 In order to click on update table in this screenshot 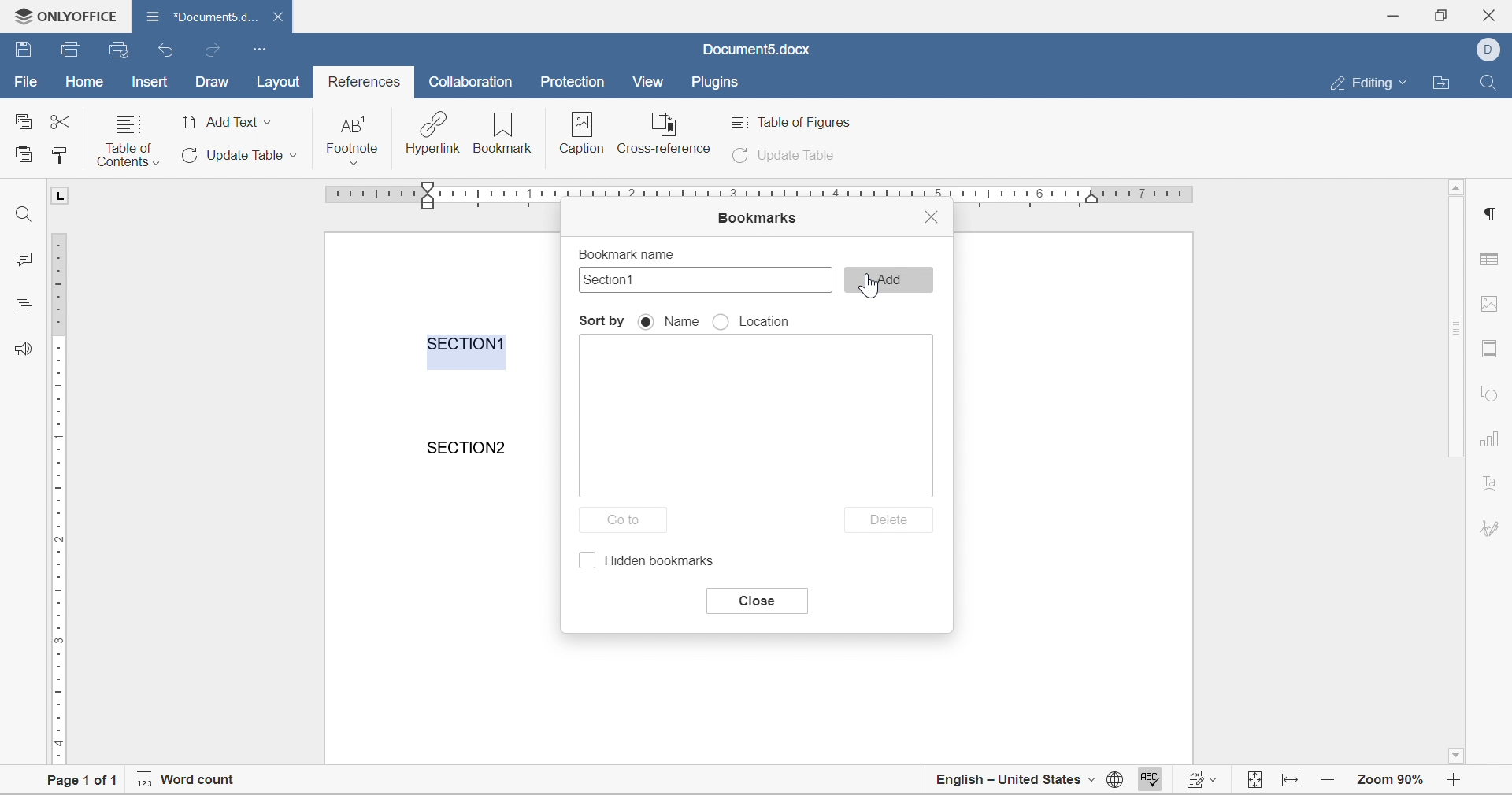, I will do `click(787, 157)`.